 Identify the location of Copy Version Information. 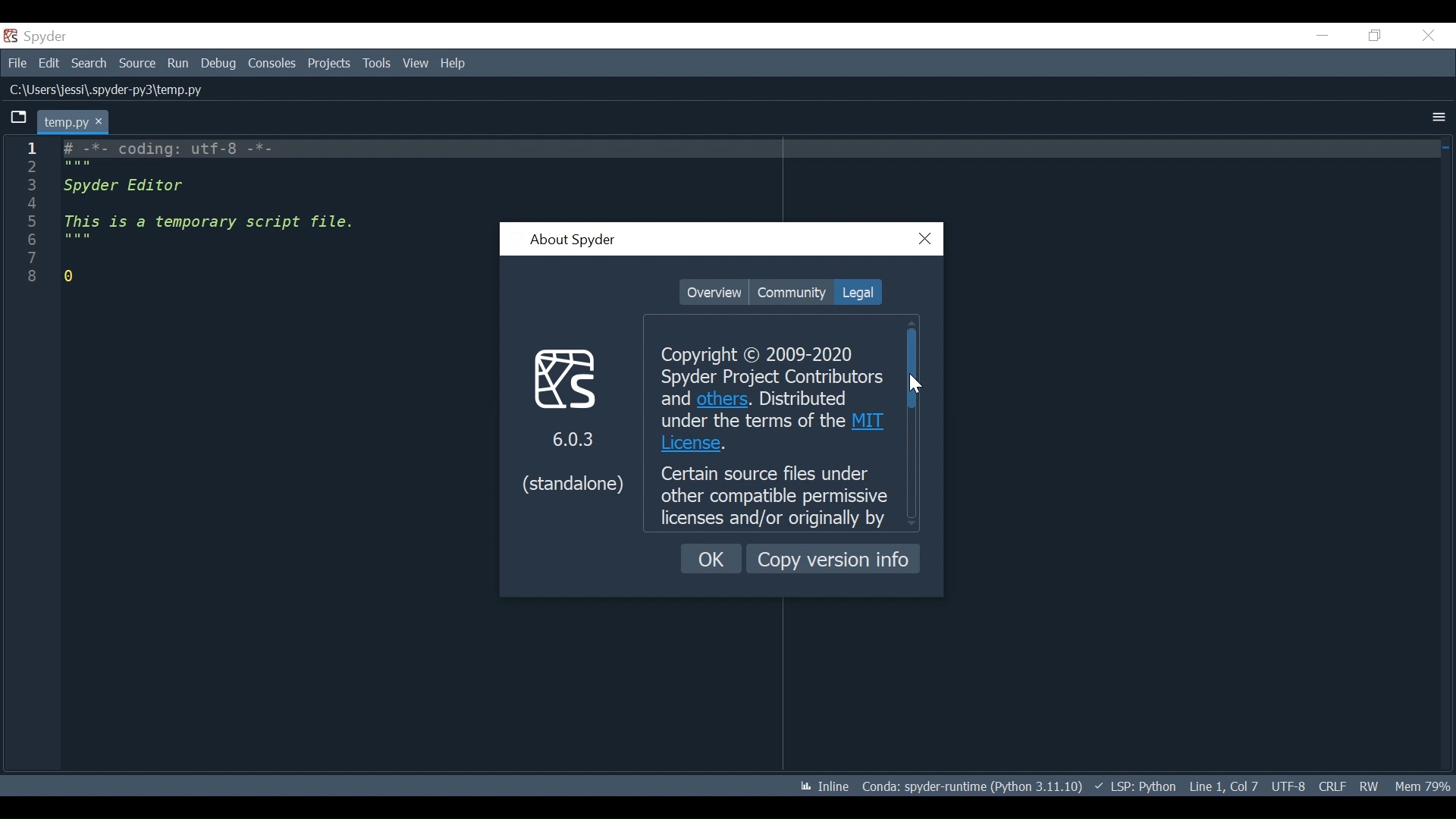
(833, 558).